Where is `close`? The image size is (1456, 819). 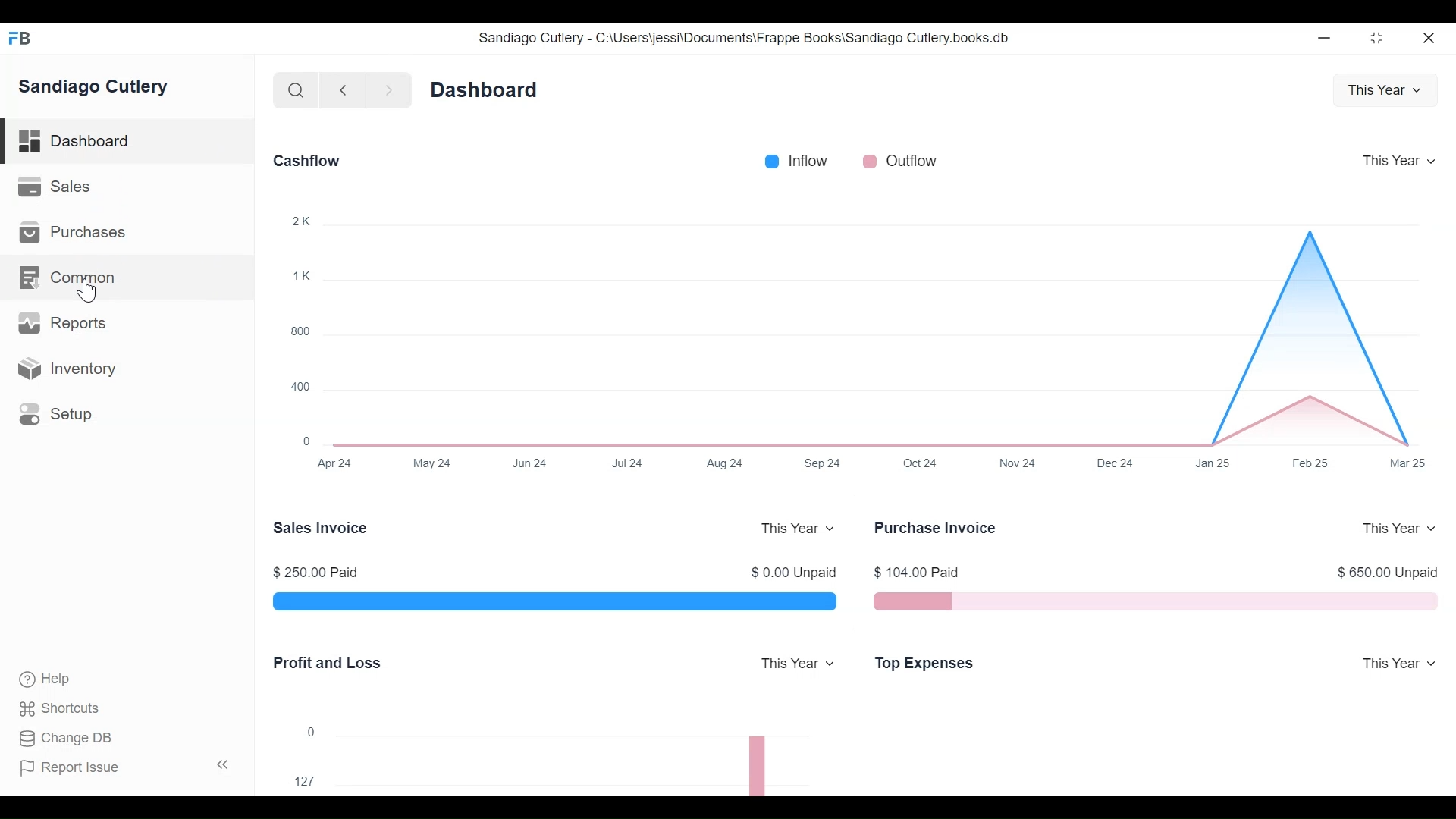
close is located at coordinates (1434, 36).